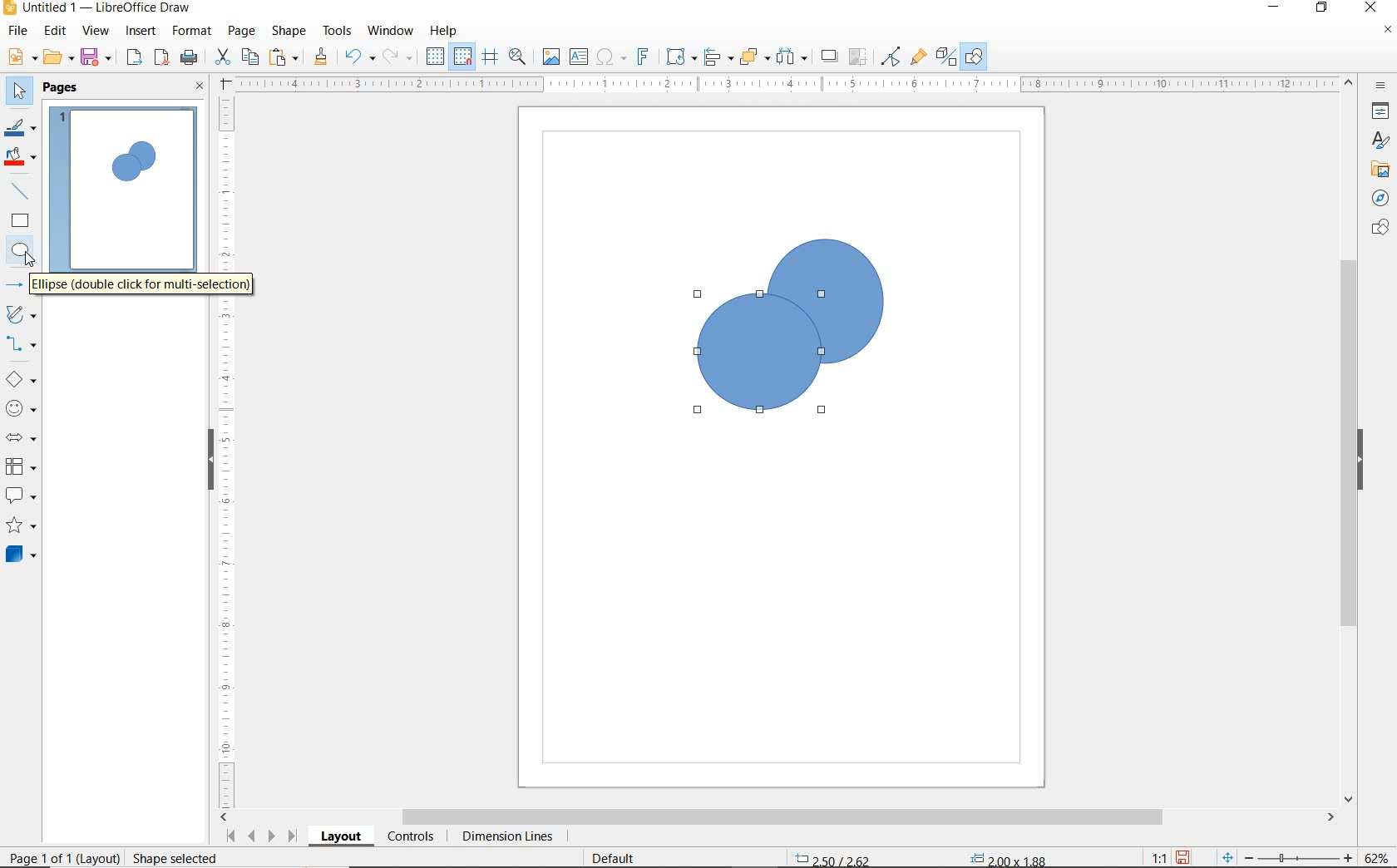 The image size is (1397, 868). Describe the element at coordinates (20, 92) in the screenshot. I see `SELECT` at that location.